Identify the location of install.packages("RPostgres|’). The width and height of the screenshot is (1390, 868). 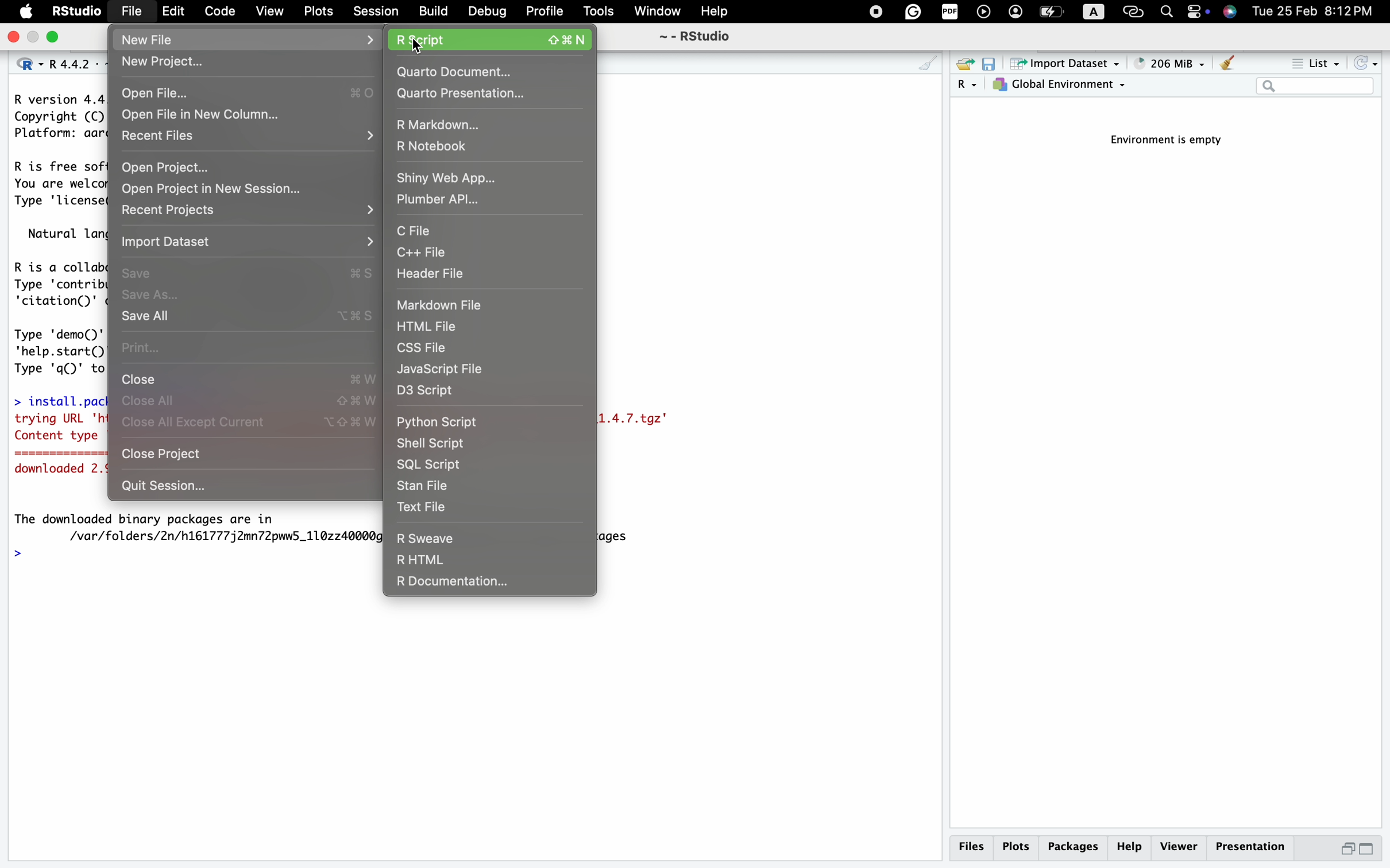
(56, 398).